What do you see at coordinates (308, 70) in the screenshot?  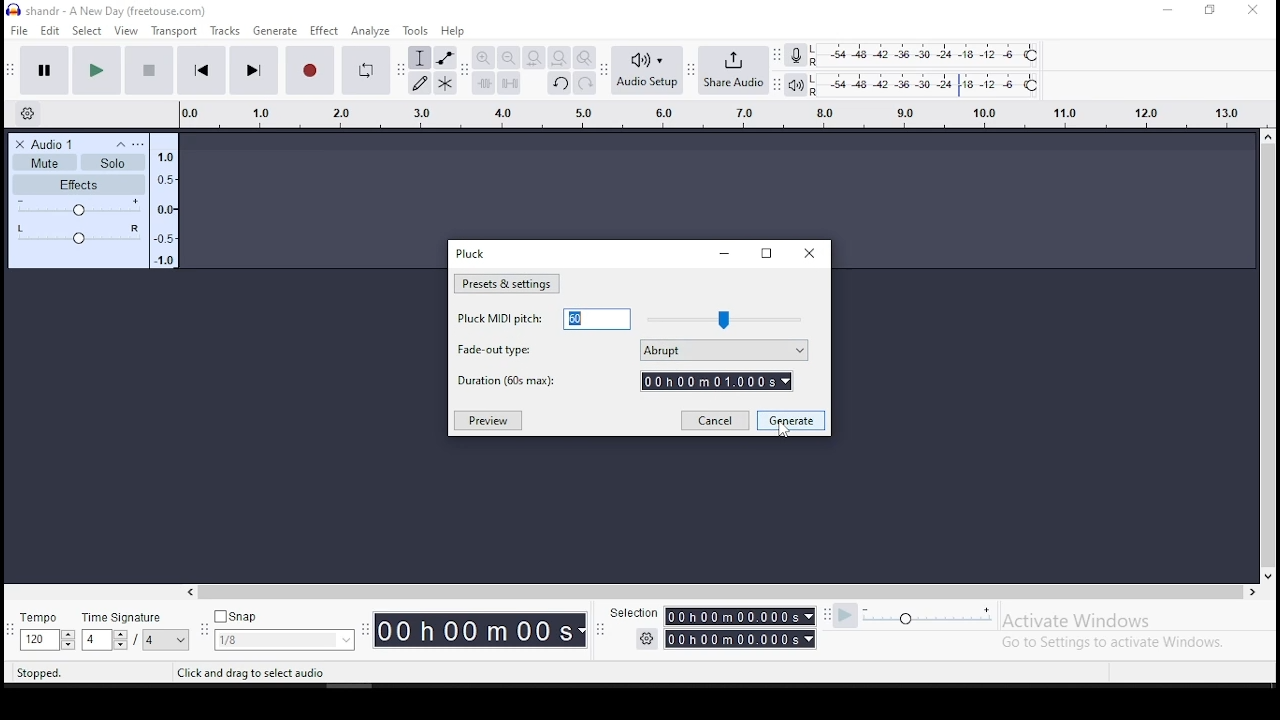 I see `record` at bounding box center [308, 70].